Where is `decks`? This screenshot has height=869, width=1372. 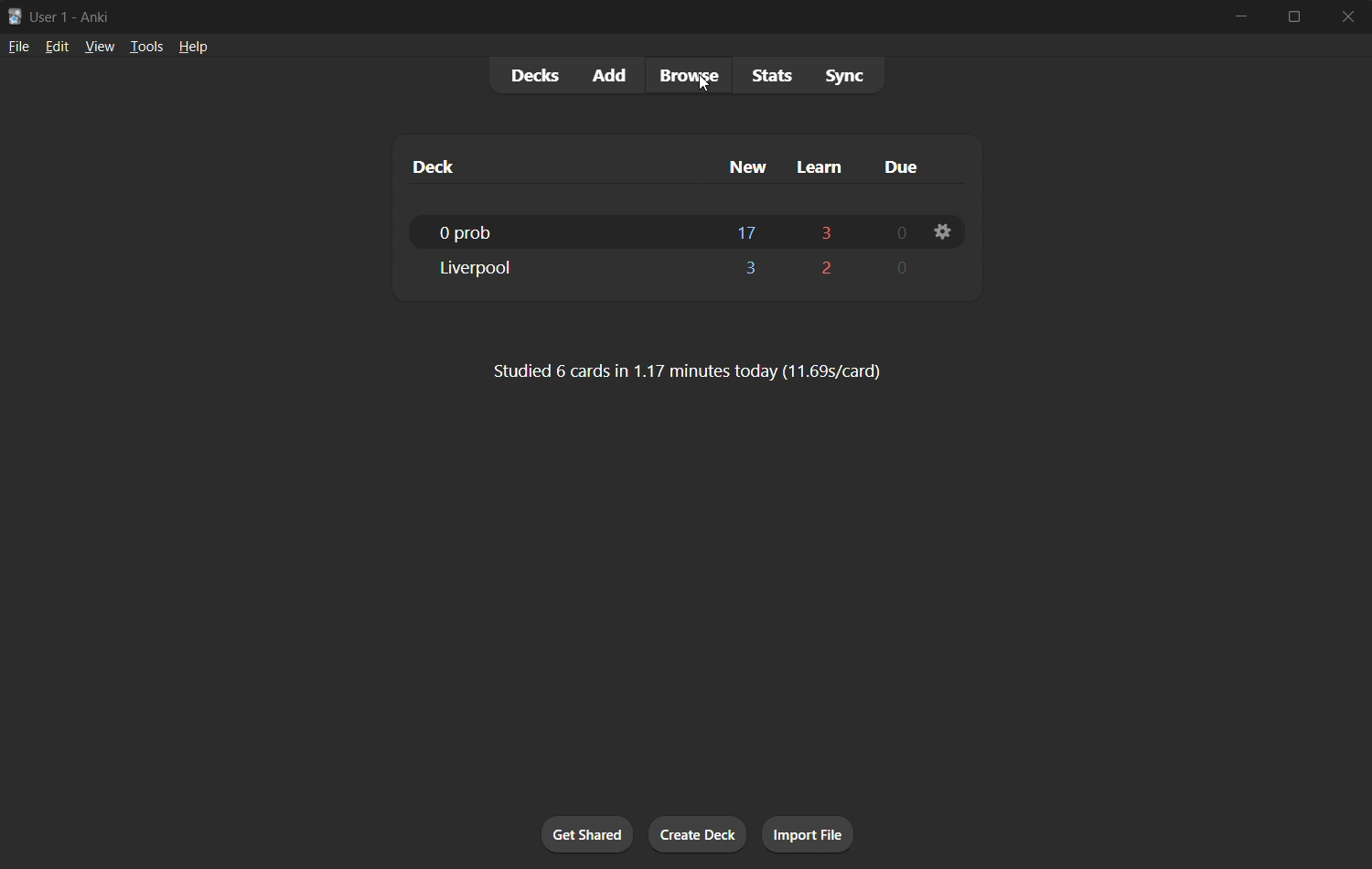
decks is located at coordinates (533, 74).